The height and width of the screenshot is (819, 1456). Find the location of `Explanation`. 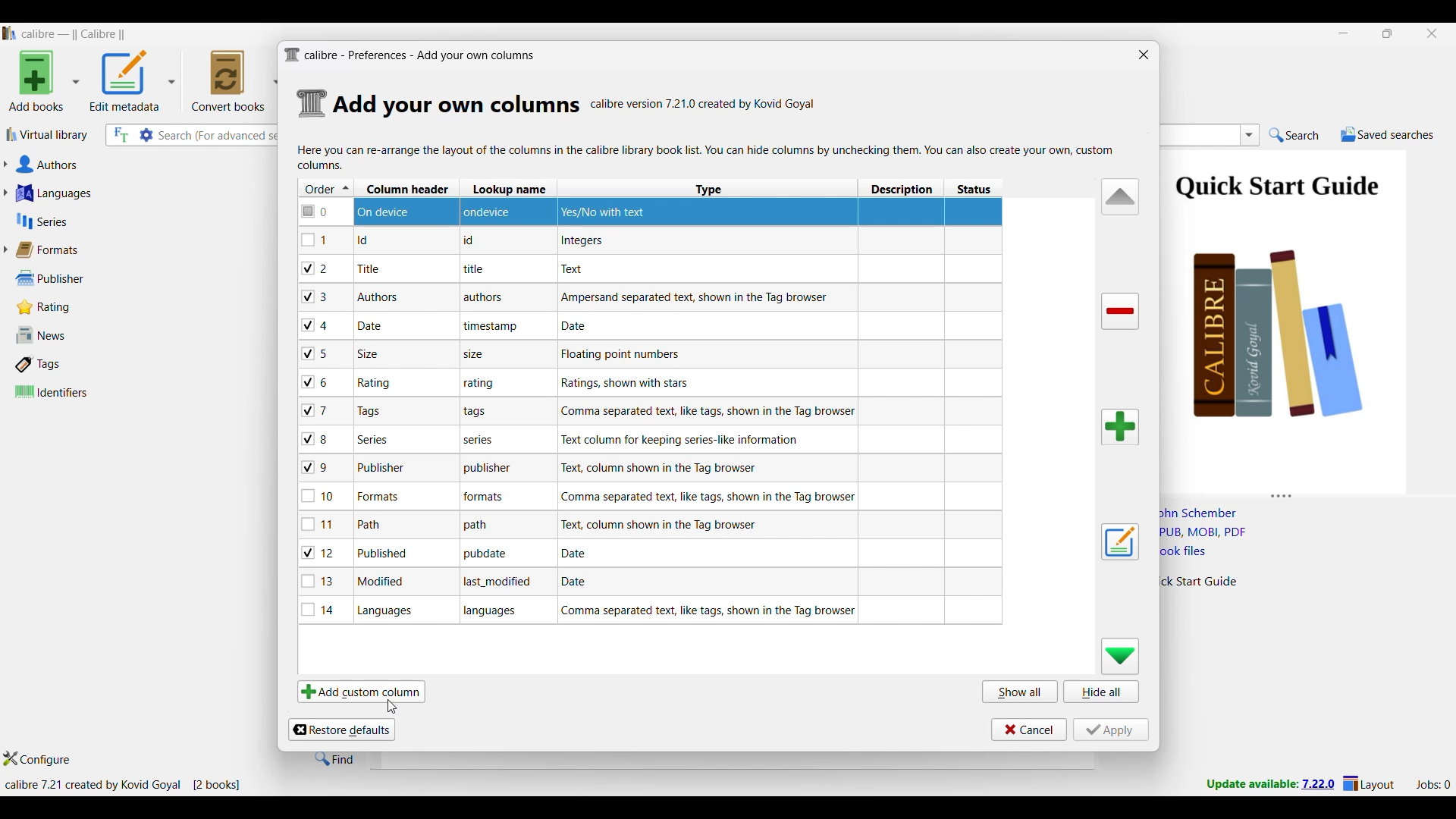

Explanation is located at coordinates (698, 297).